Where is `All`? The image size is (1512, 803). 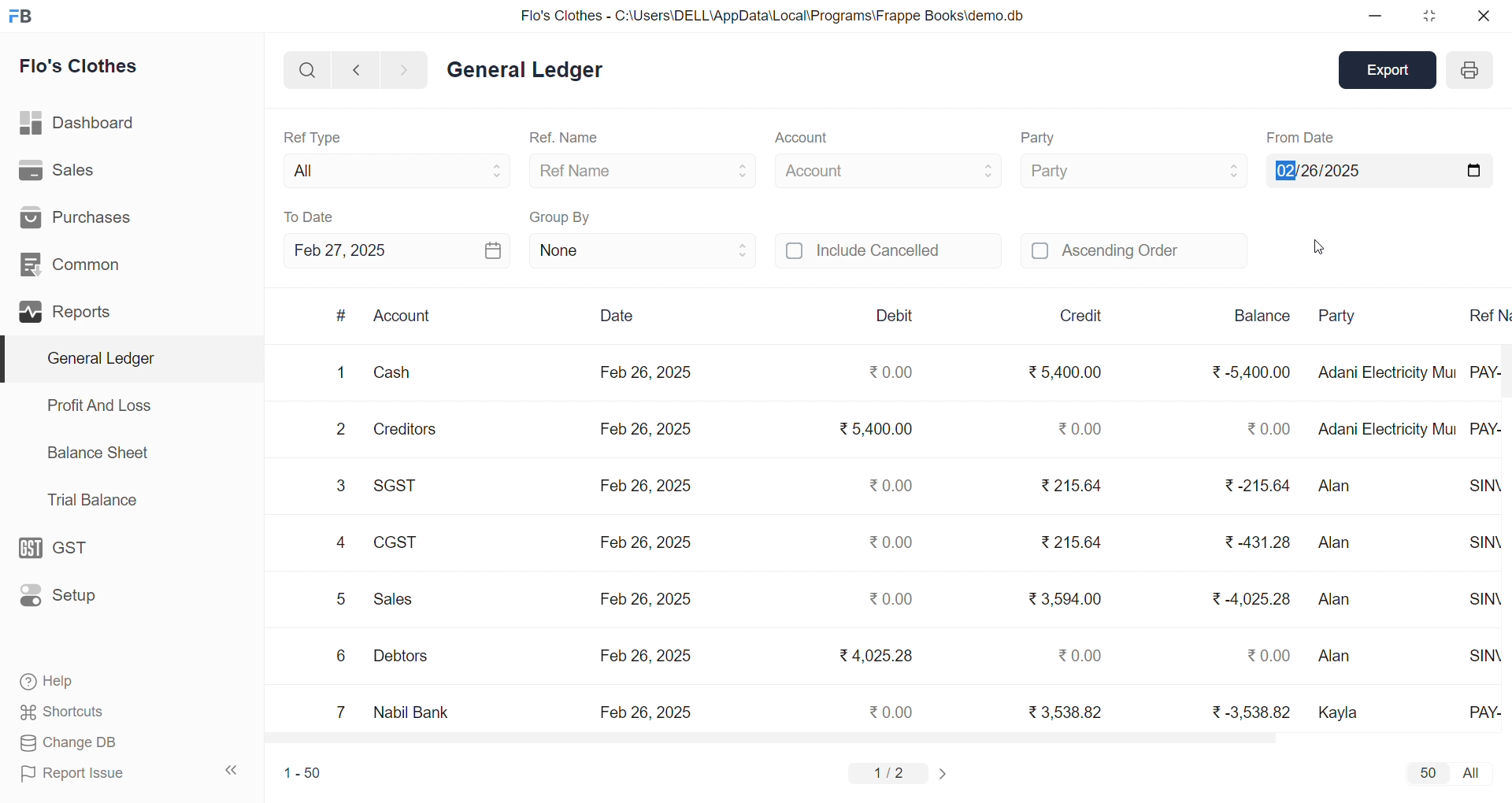
All is located at coordinates (392, 168).